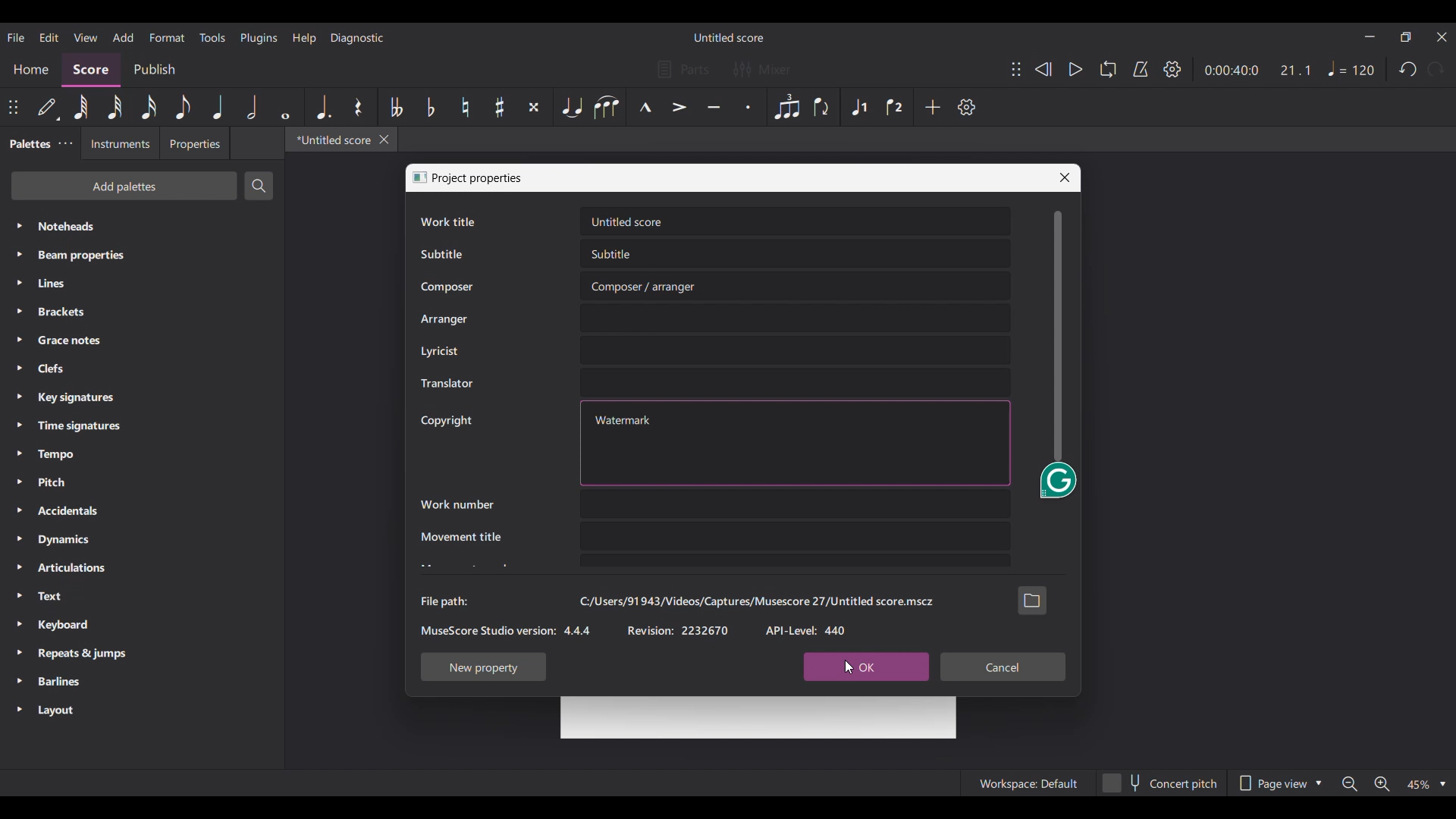 This screenshot has width=1456, height=819. I want to click on Text box for Arranger, so click(795, 318).